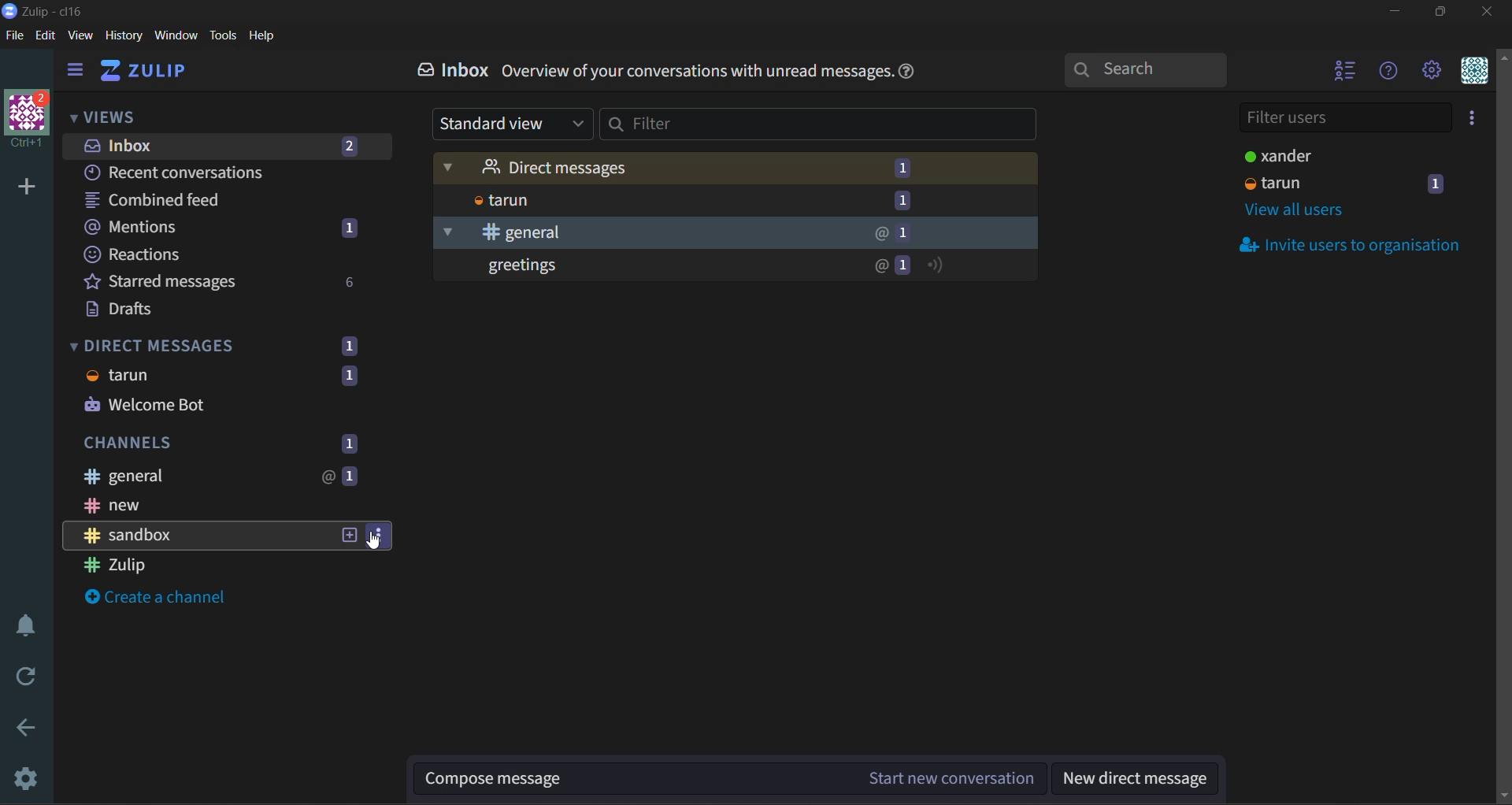  Describe the element at coordinates (1397, 12) in the screenshot. I see `minimize` at that location.